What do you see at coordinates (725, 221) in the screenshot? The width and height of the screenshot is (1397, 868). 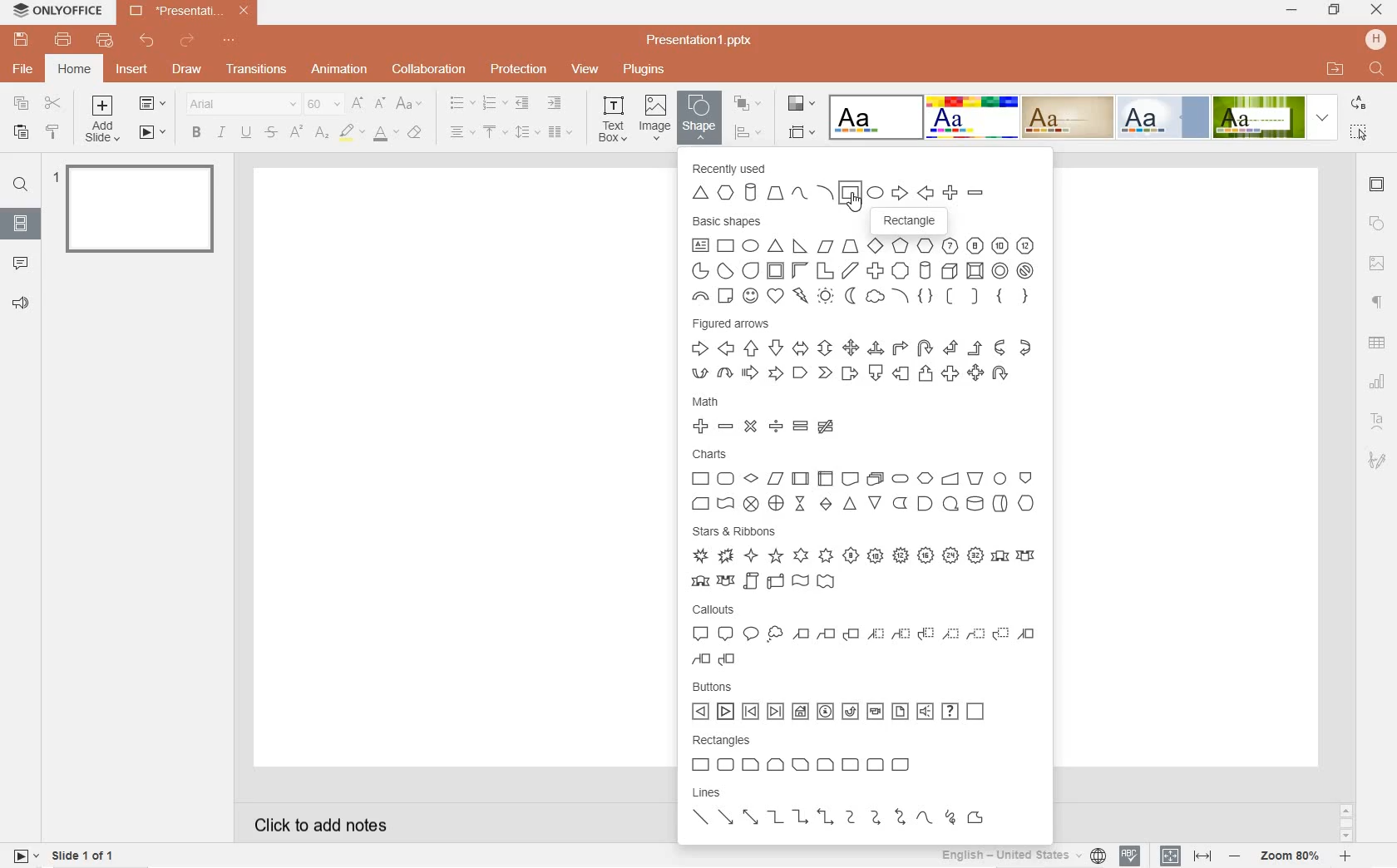 I see `basic shapes` at bounding box center [725, 221].